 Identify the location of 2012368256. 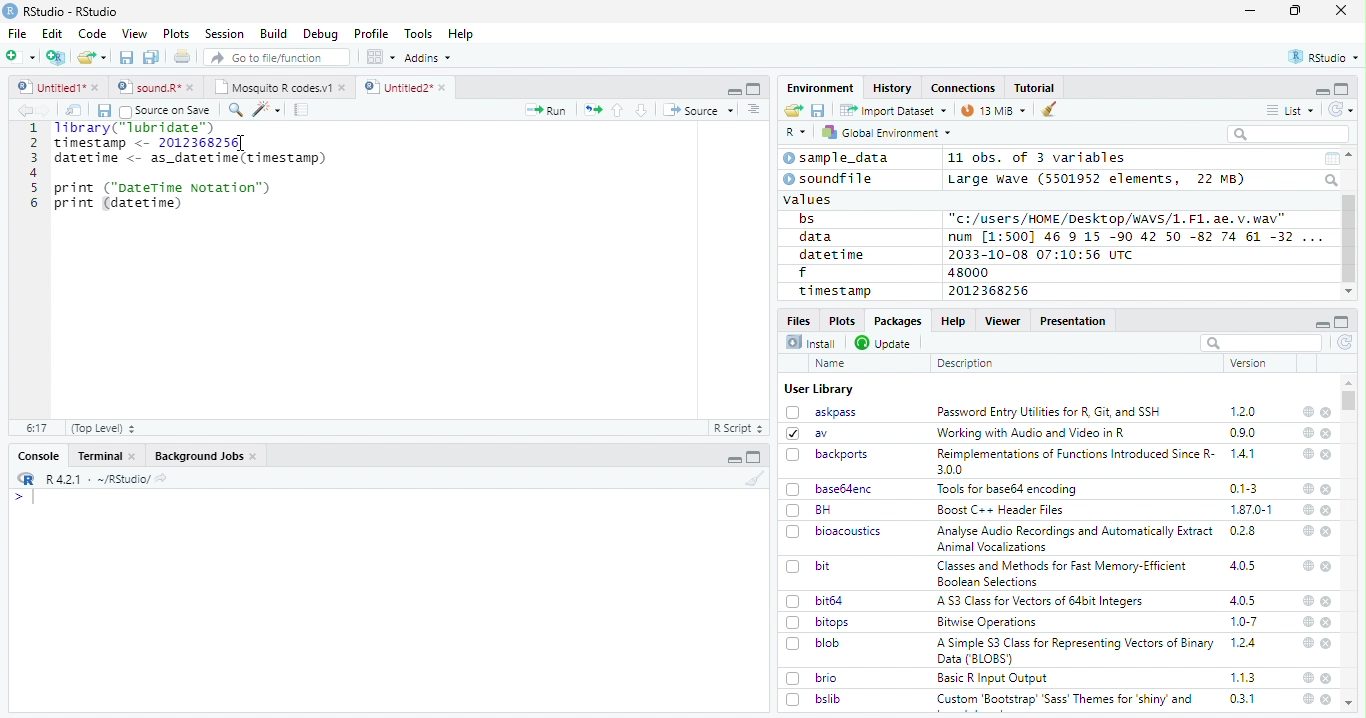
(992, 291).